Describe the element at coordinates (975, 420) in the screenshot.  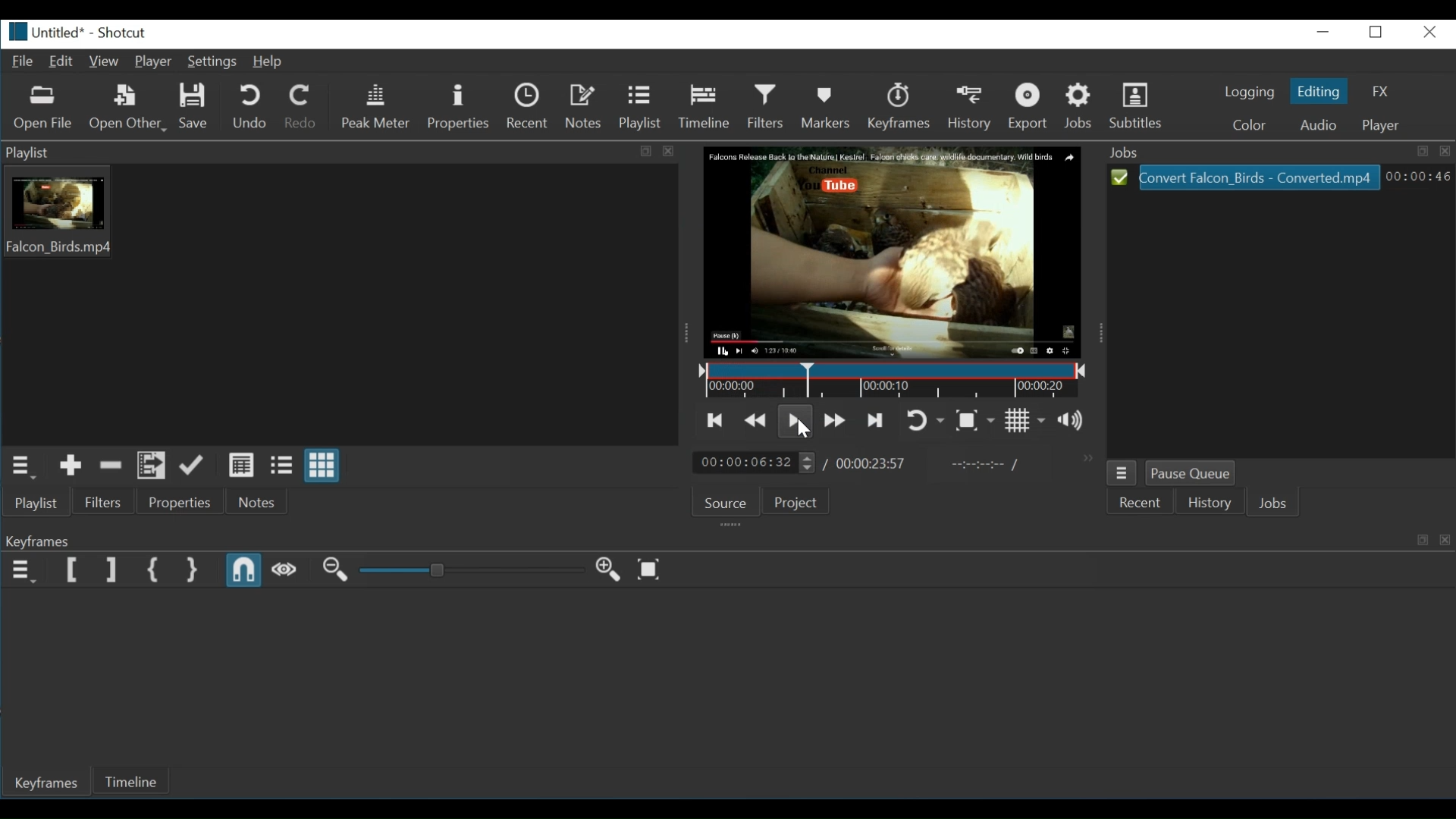
I see `Toggle Zoom` at that location.